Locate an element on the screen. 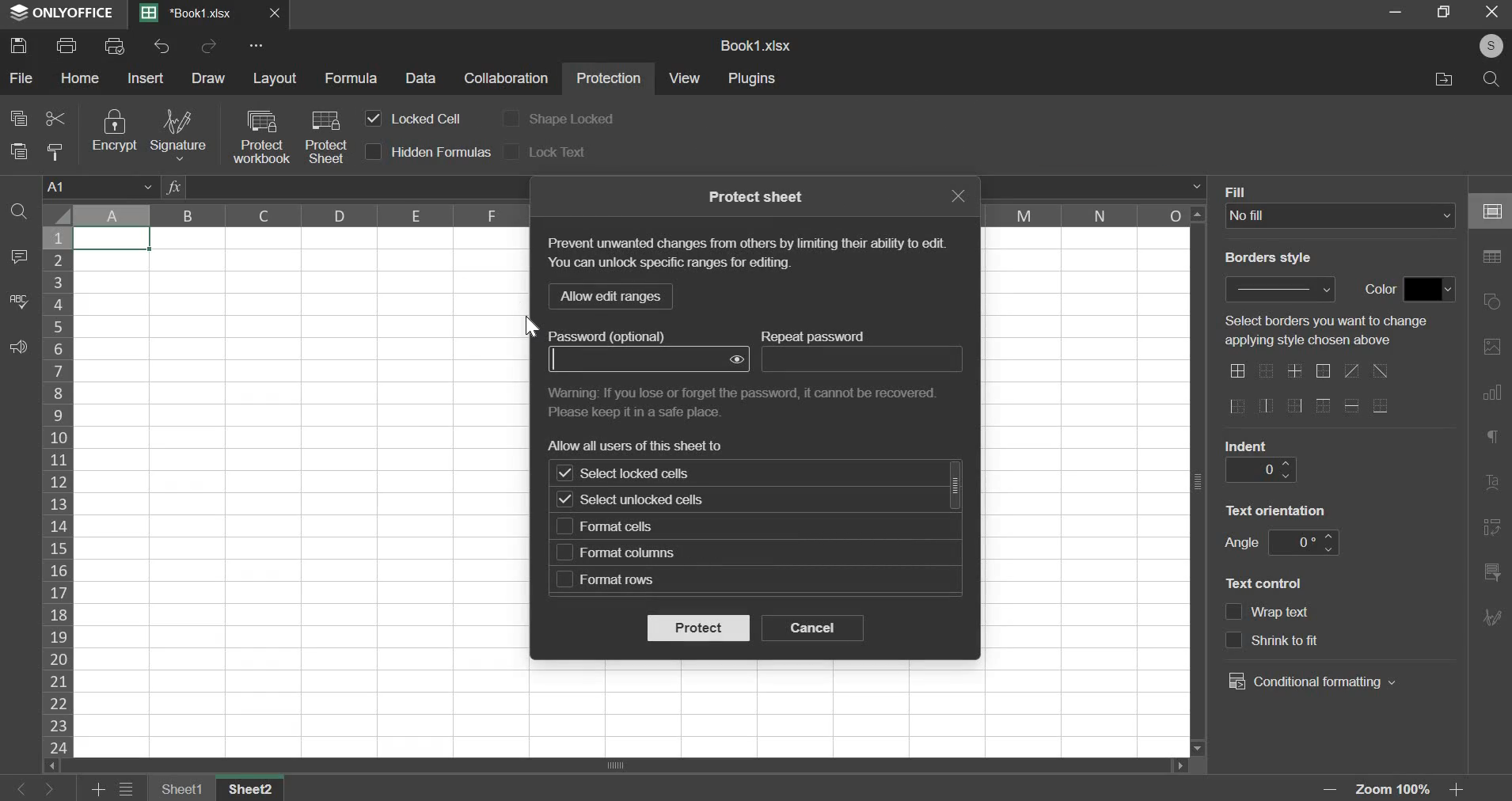  protection is located at coordinates (609, 80).